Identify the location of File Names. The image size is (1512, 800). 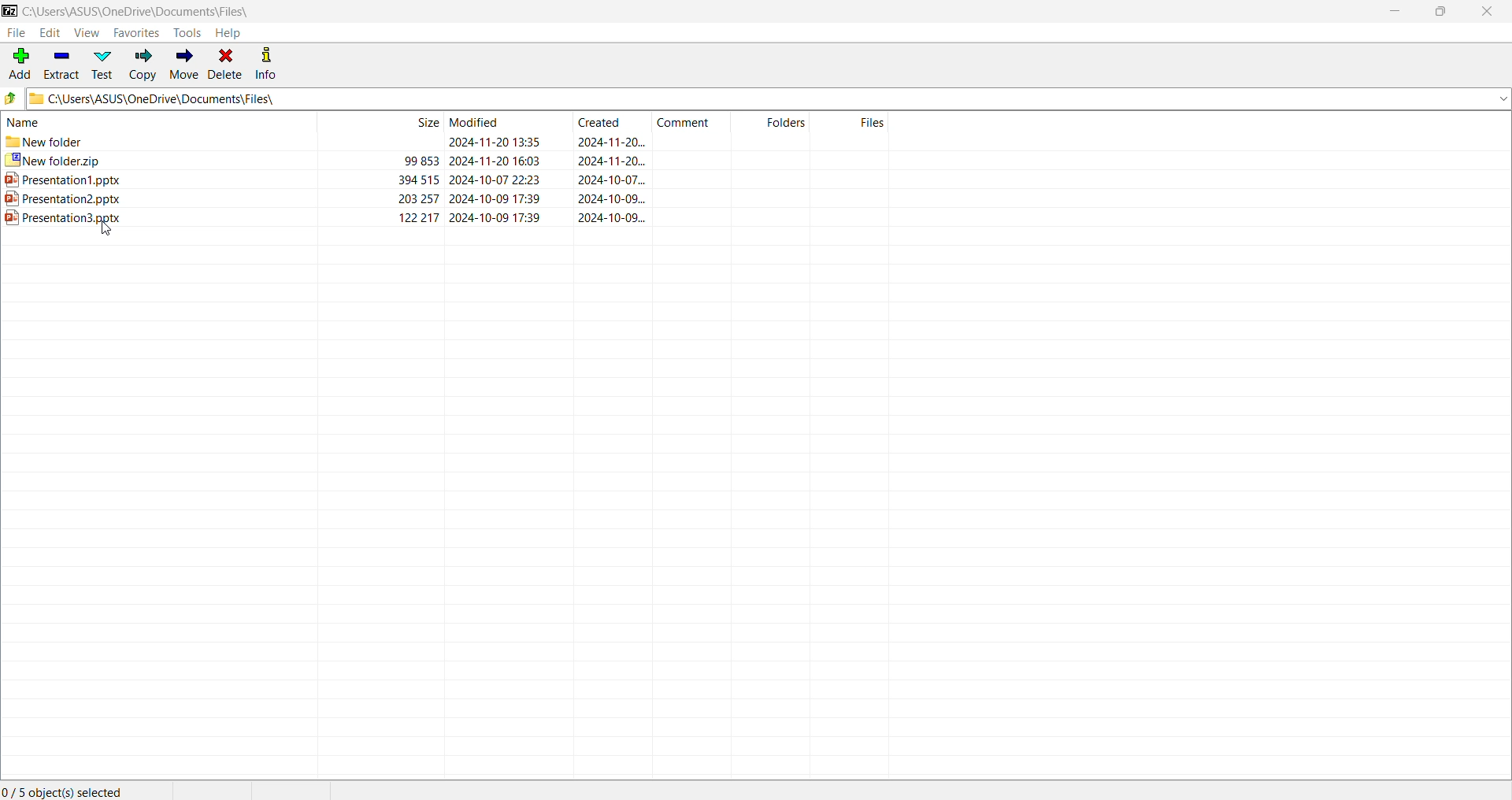
(157, 120).